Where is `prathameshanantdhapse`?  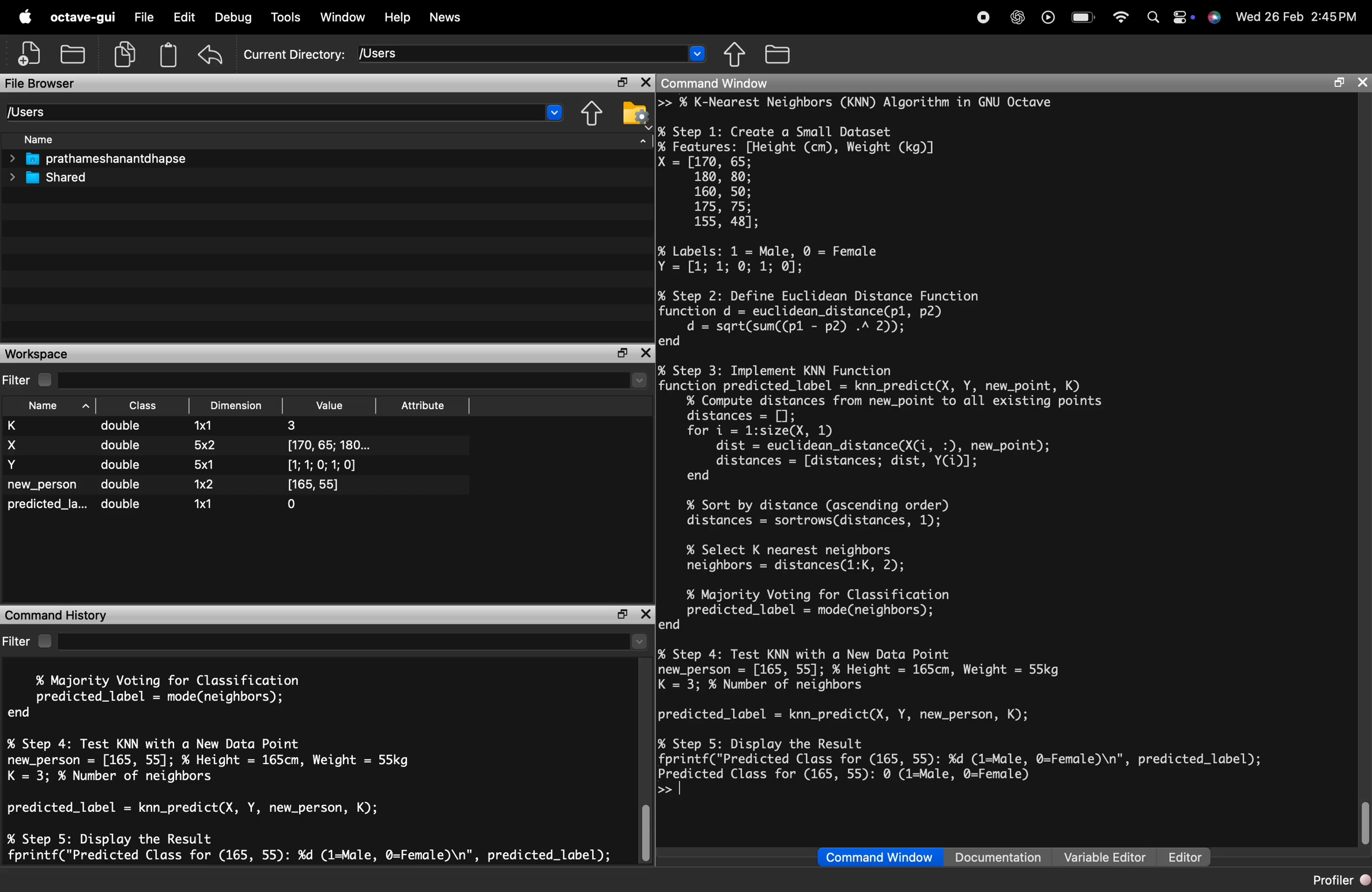 prathameshanantdhapse is located at coordinates (108, 160).